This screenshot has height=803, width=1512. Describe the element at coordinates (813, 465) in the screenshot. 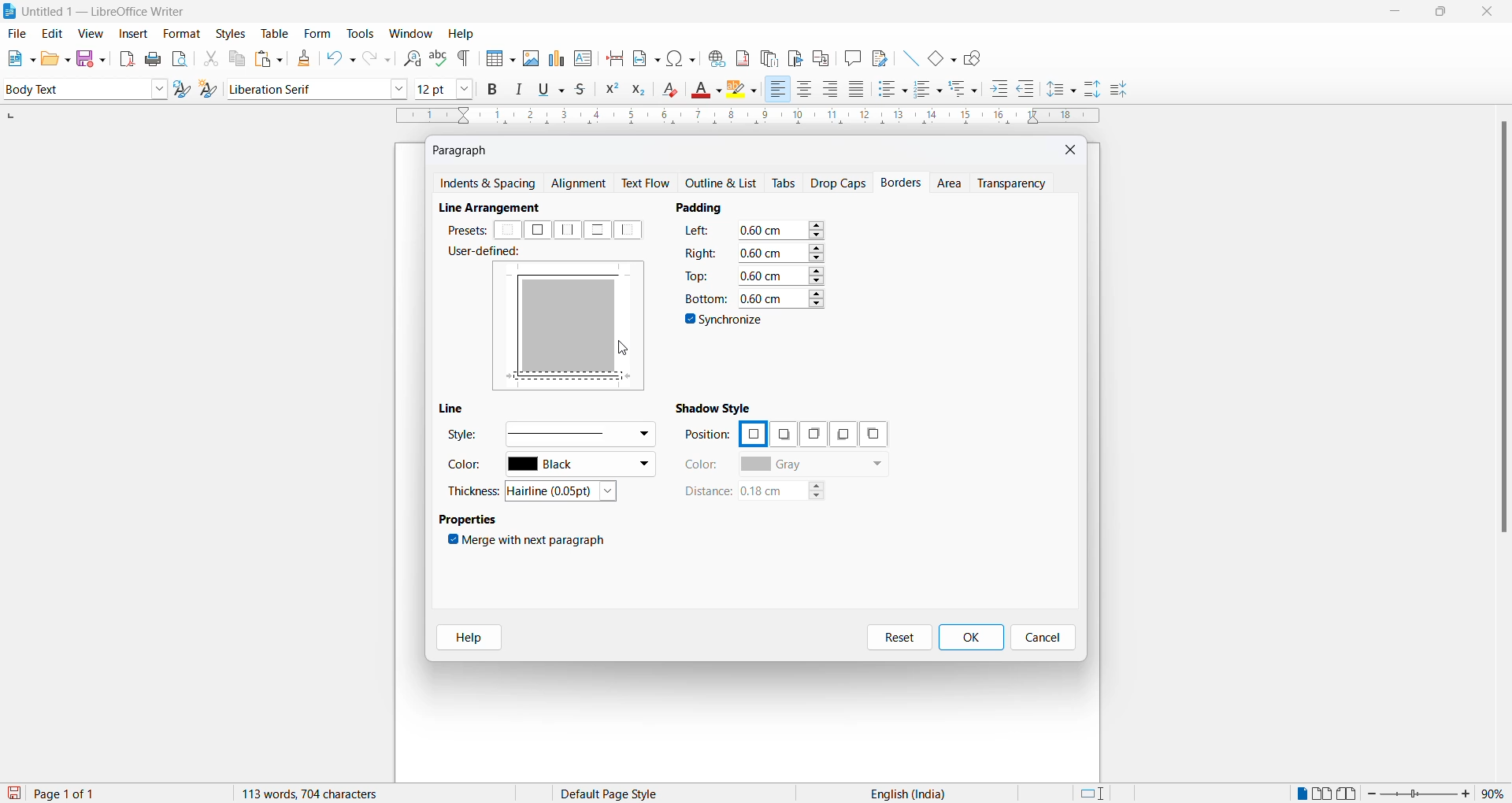

I see `color options` at that location.